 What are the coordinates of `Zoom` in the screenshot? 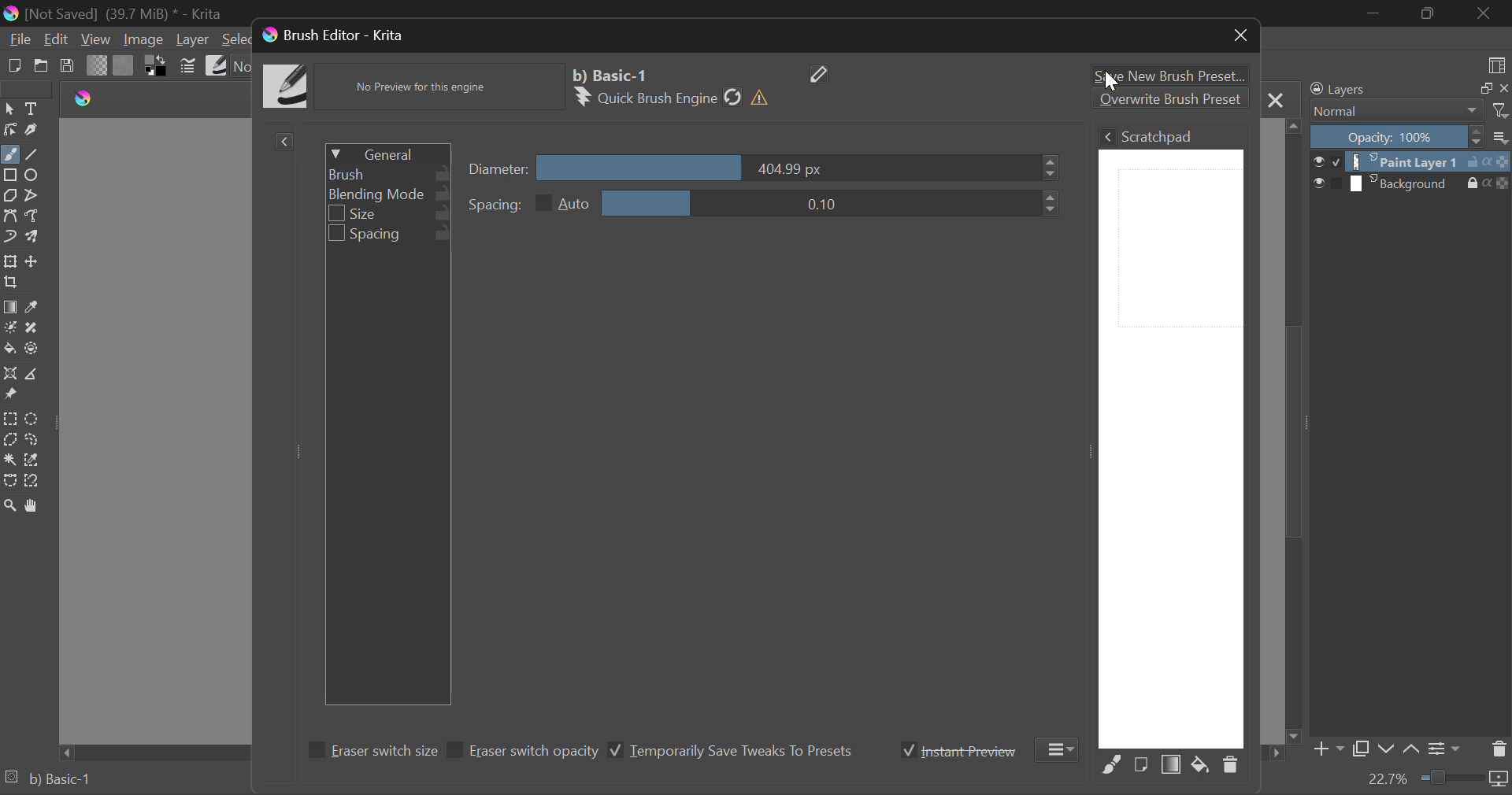 It's located at (9, 505).